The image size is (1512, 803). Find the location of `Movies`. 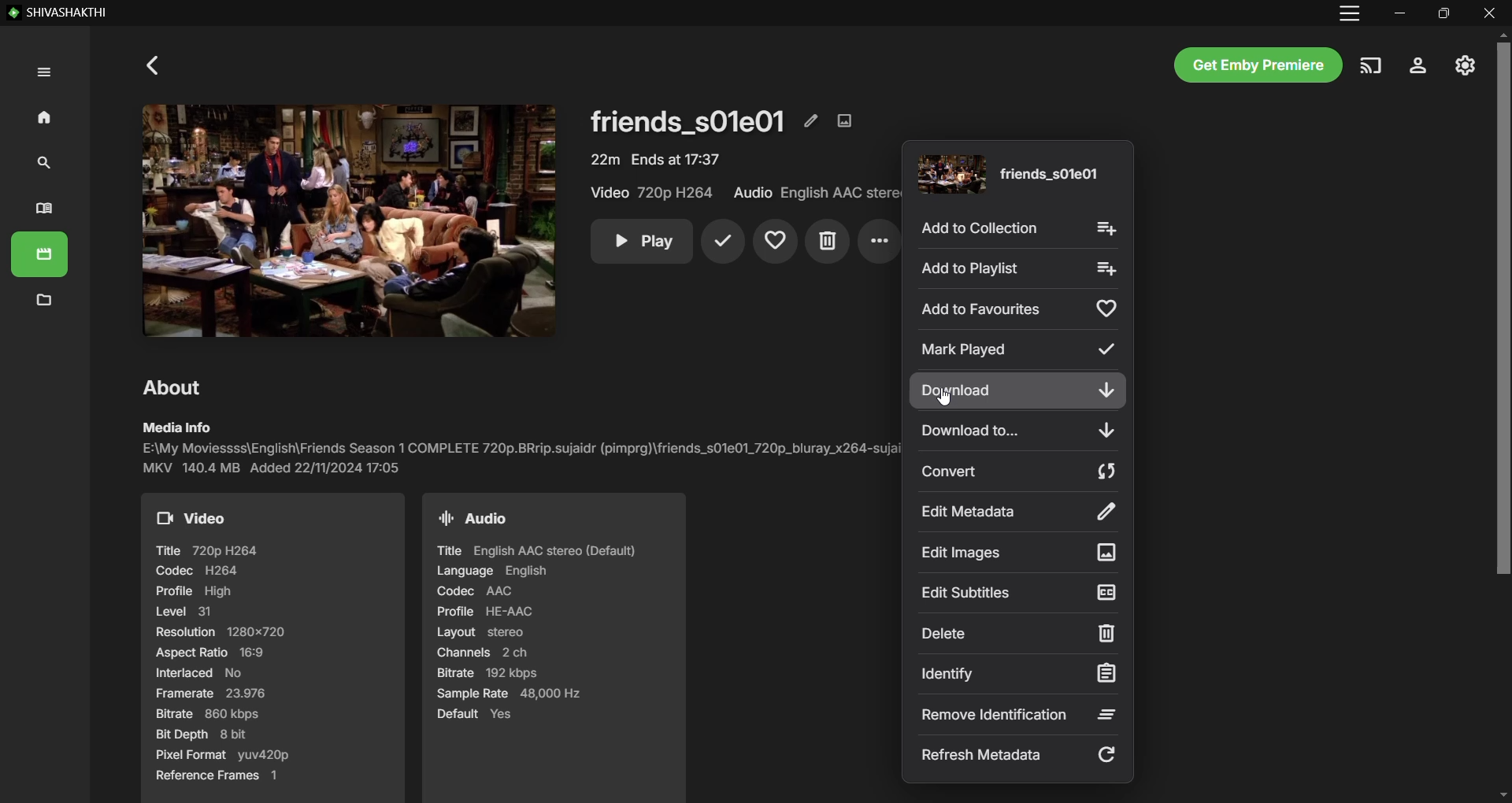

Movies is located at coordinates (41, 257).